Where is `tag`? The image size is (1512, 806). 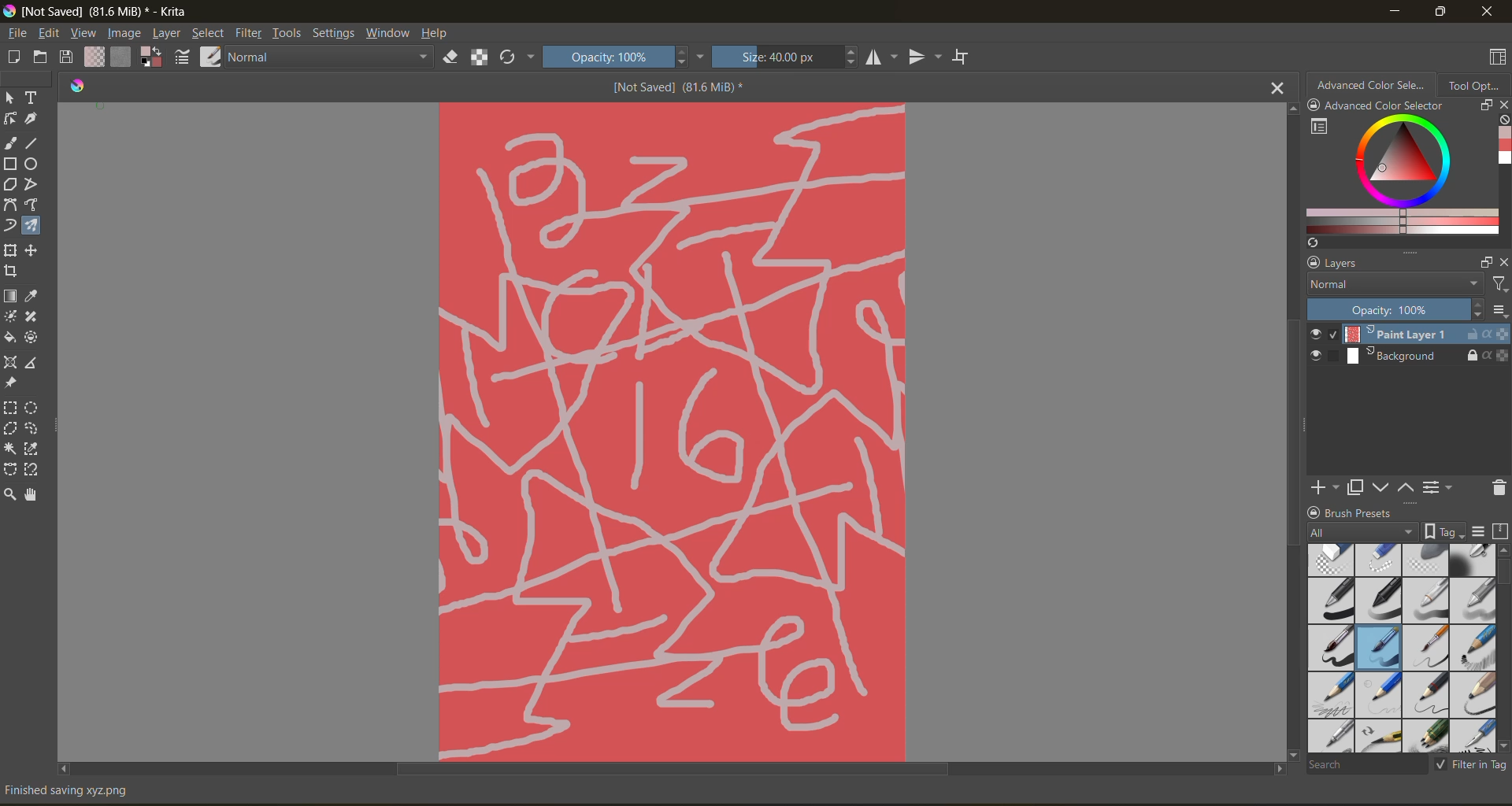 tag is located at coordinates (1363, 533).